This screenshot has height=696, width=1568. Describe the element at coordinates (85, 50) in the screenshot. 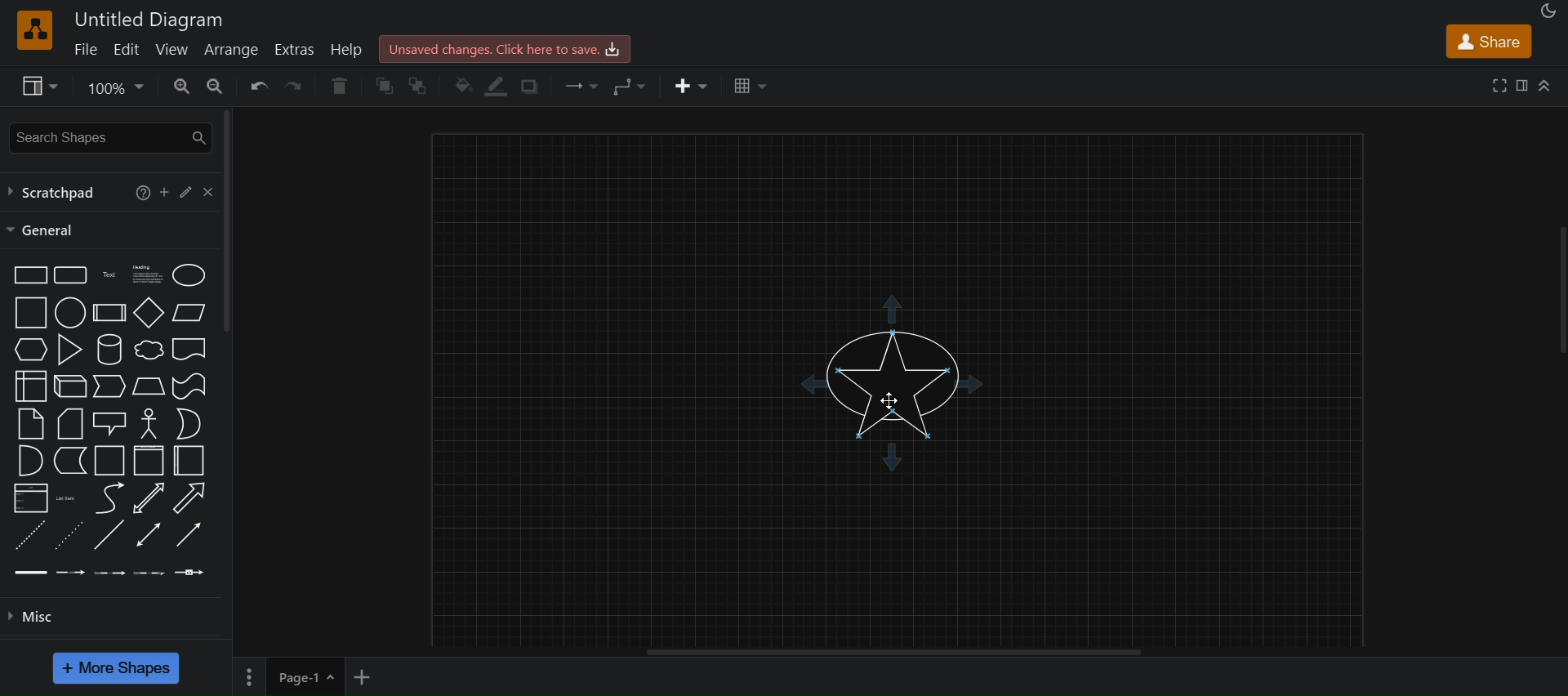

I see `file` at that location.